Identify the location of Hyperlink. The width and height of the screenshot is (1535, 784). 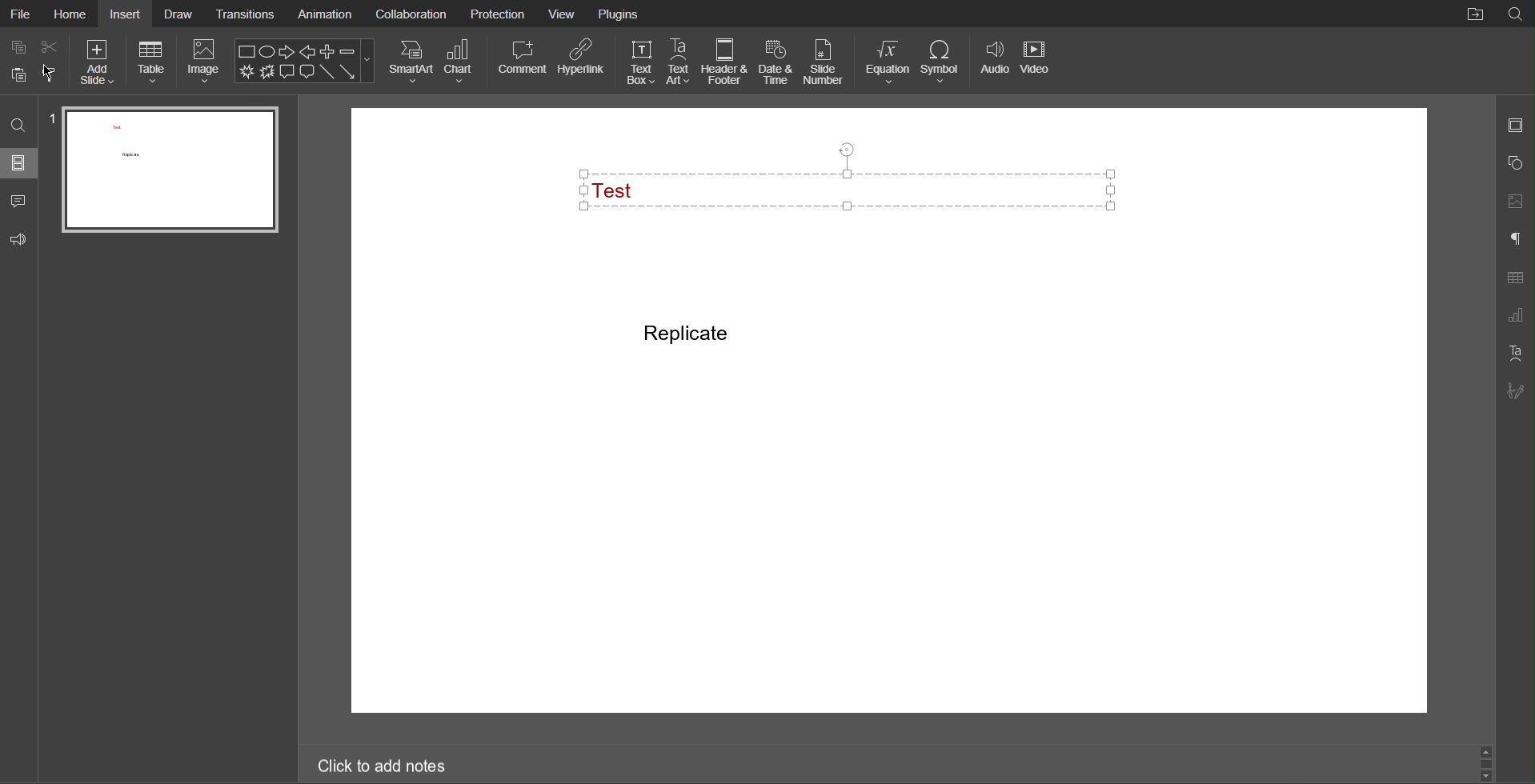
(583, 62).